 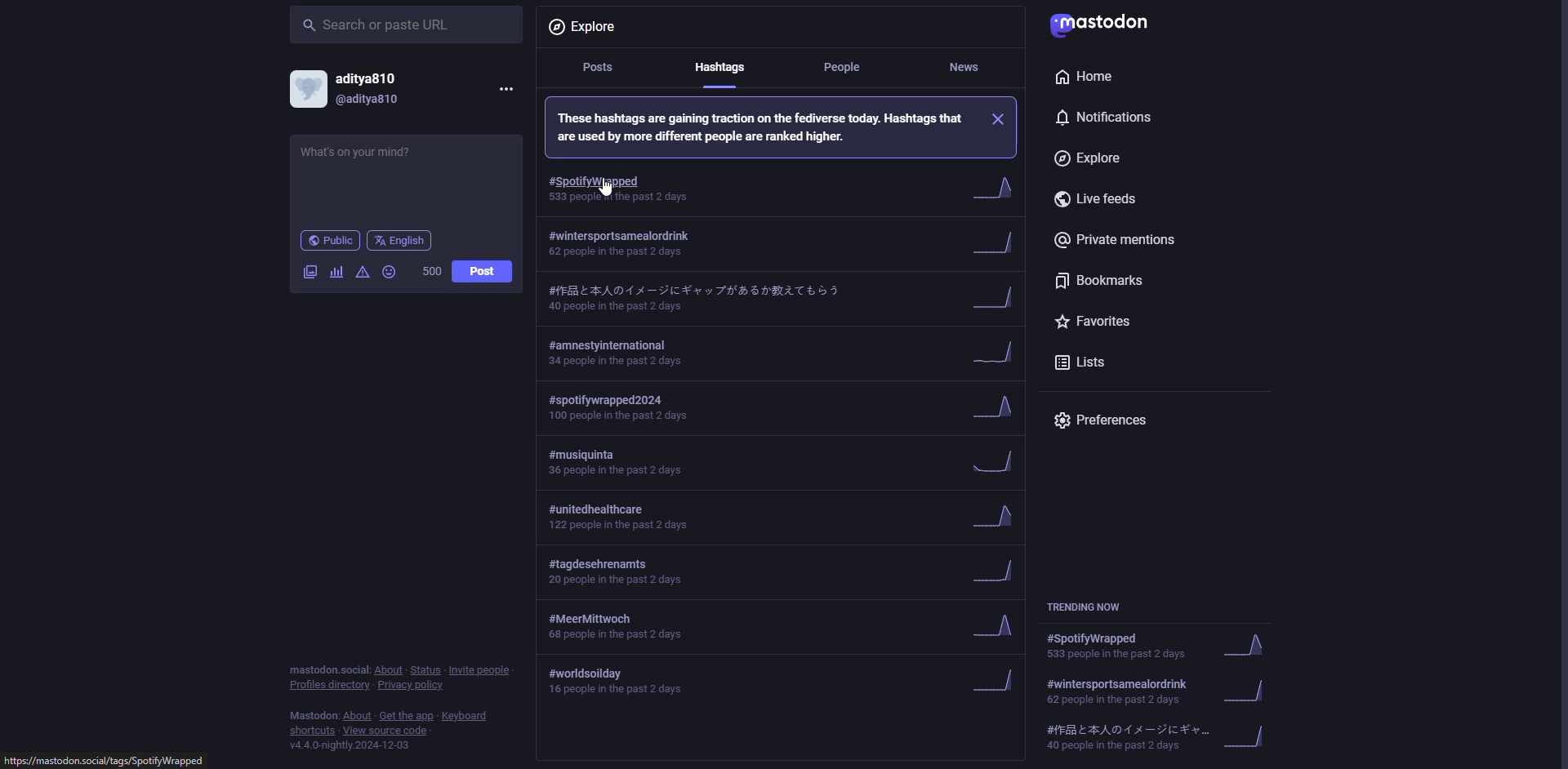 What do you see at coordinates (624, 575) in the screenshot?
I see `hashtag` at bounding box center [624, 575].